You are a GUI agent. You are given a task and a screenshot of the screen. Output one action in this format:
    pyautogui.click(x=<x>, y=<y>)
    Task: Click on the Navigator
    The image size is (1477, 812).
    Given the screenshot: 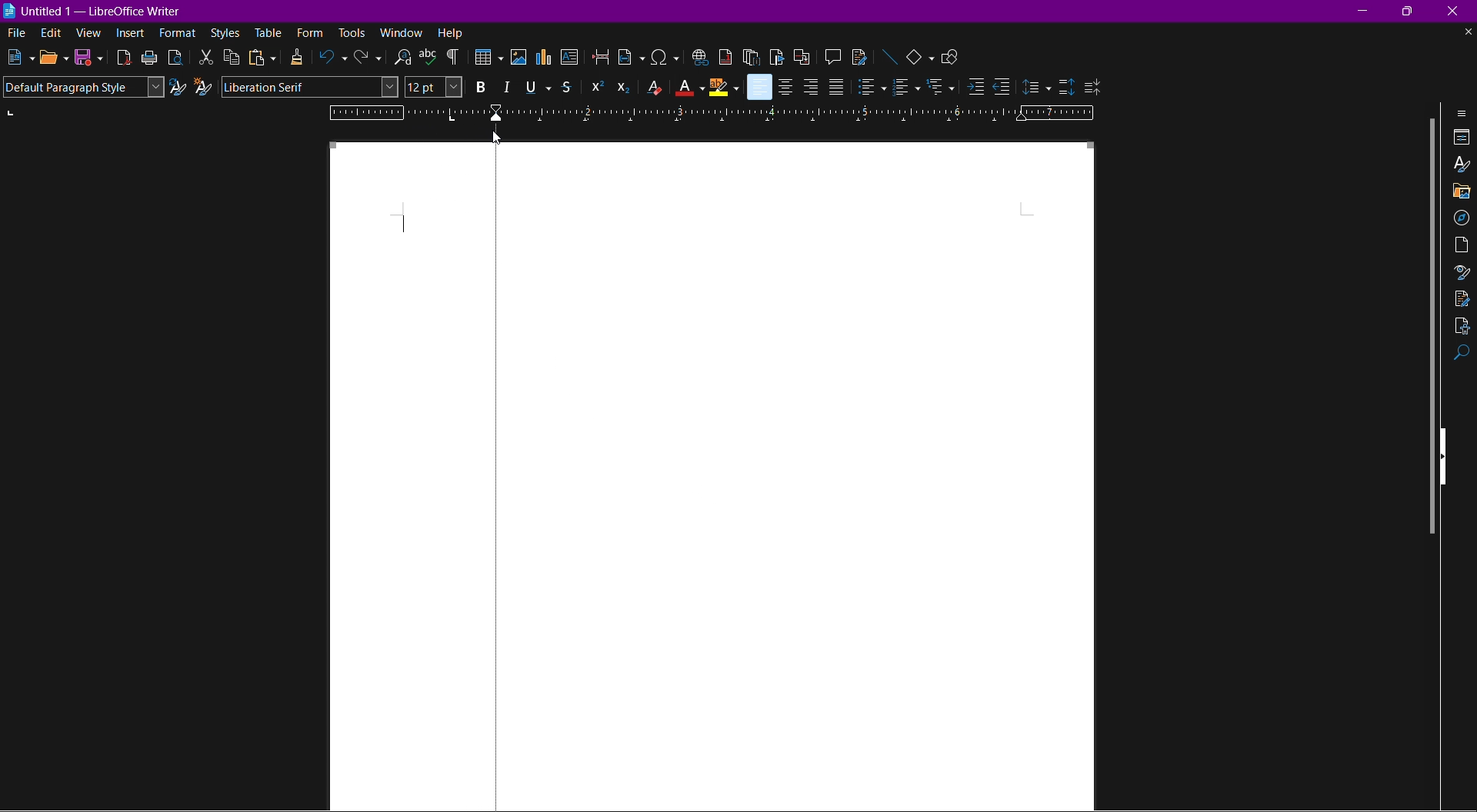 What is the action you would take?
    pyautogui.click(x=1462, y=216)
    